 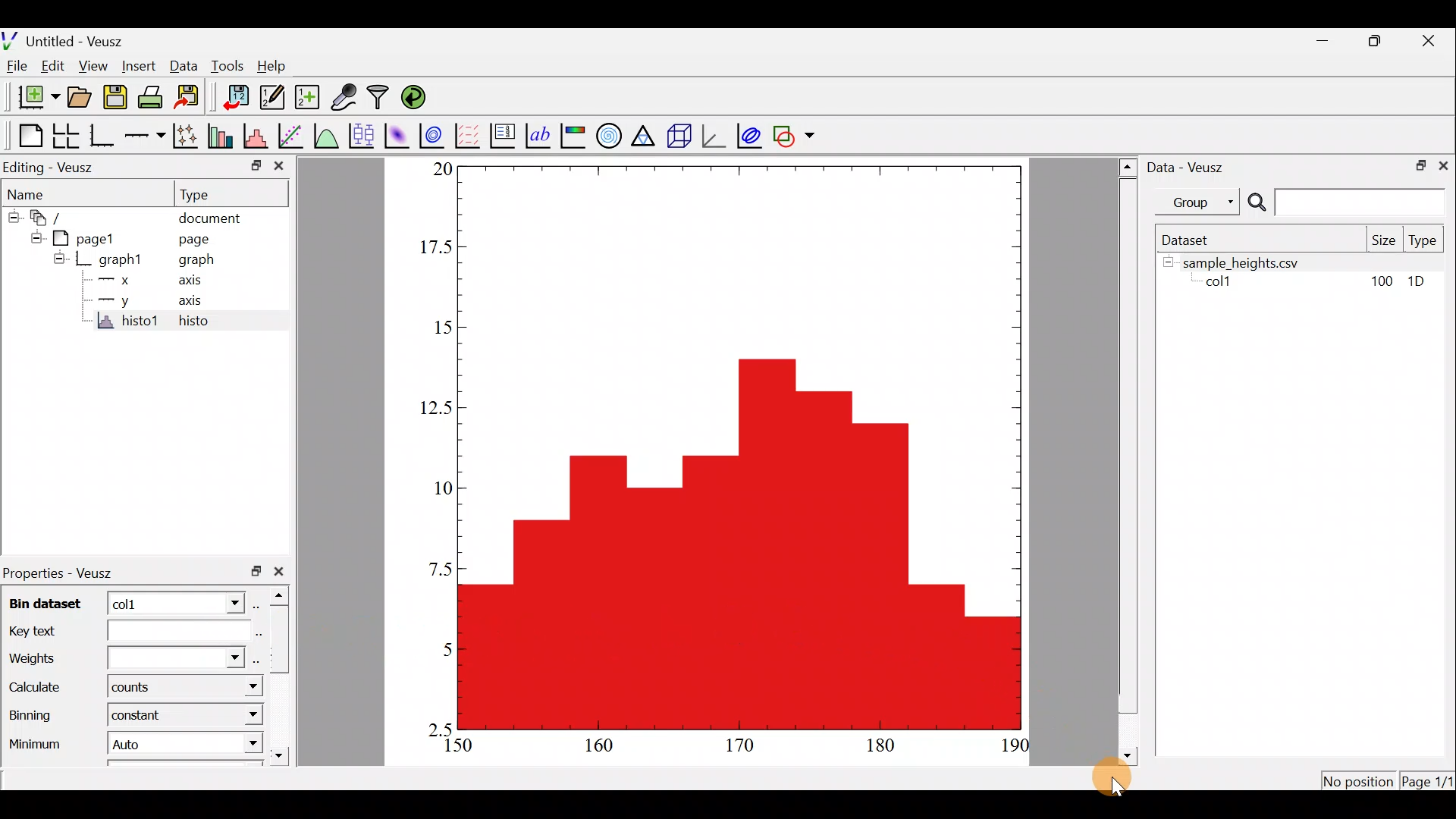 I want to click on 180, so click(x=883, y=746).